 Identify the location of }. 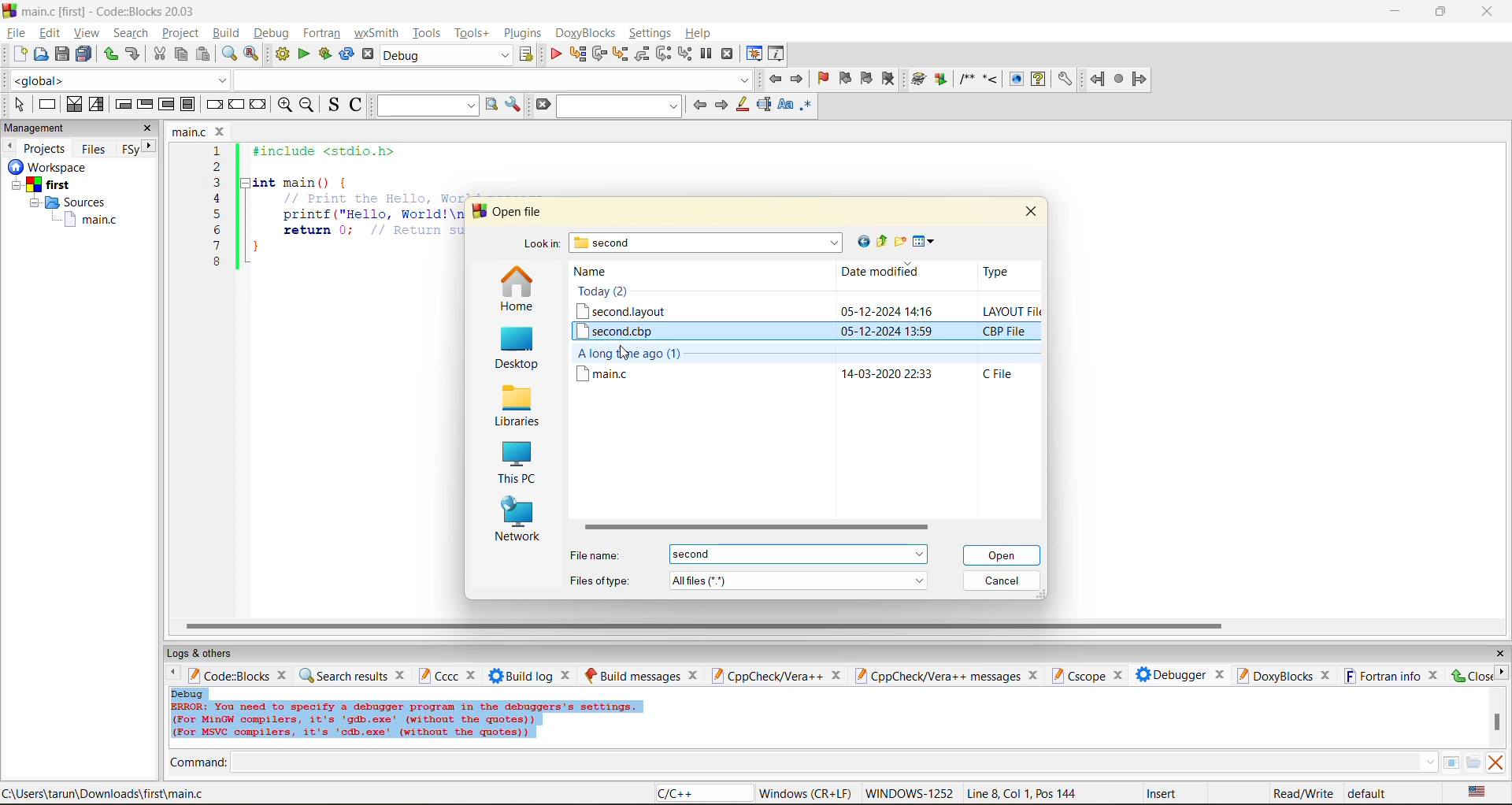
(256, 249).